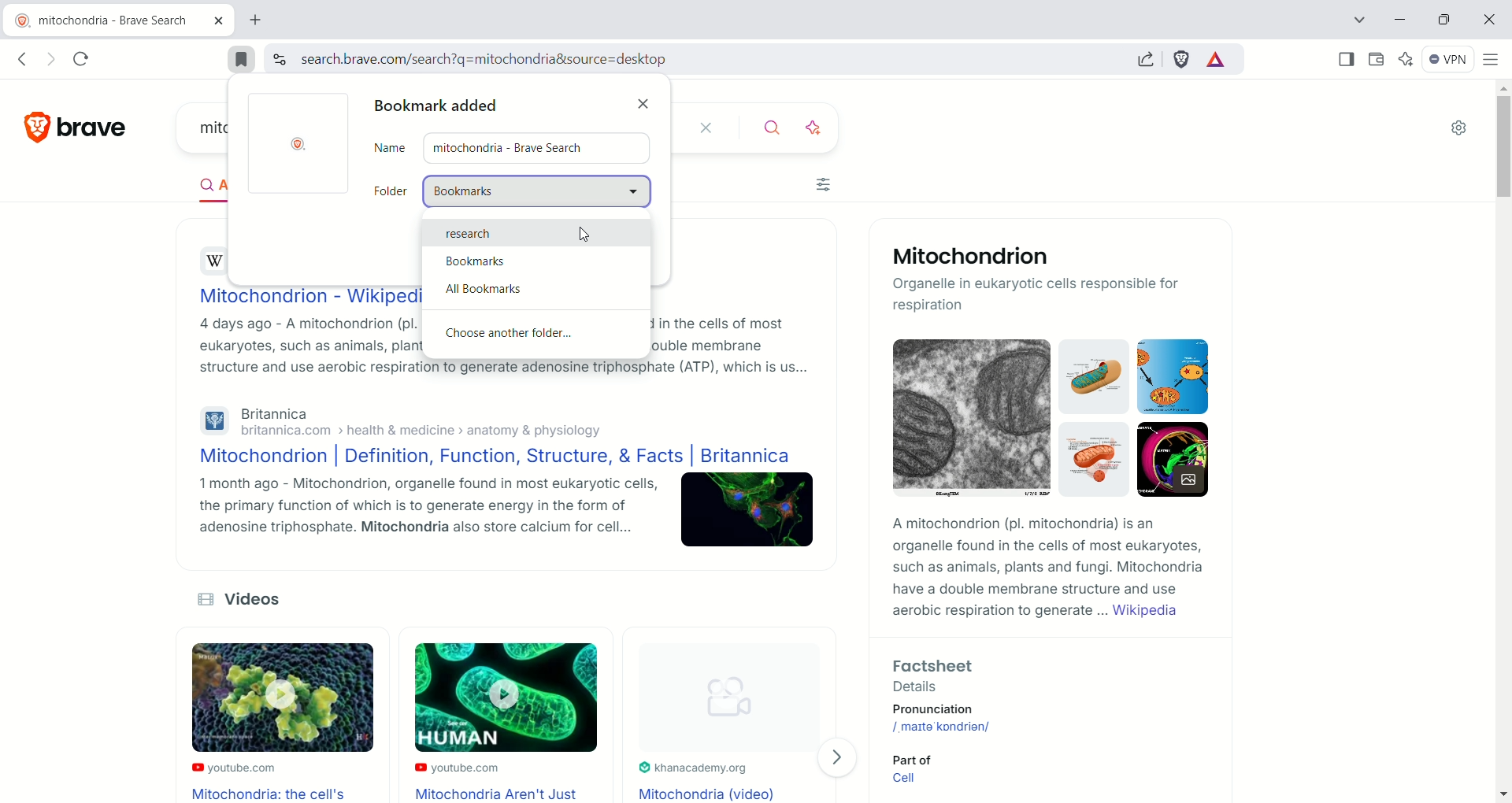 The height and width of the screenshot is (803, 1512). Describe the element at coordinates (1050, 280) in the screenshot. I see `Mitochondrion -Organelle in eukaryotic cells responsible for respiration` at that location.